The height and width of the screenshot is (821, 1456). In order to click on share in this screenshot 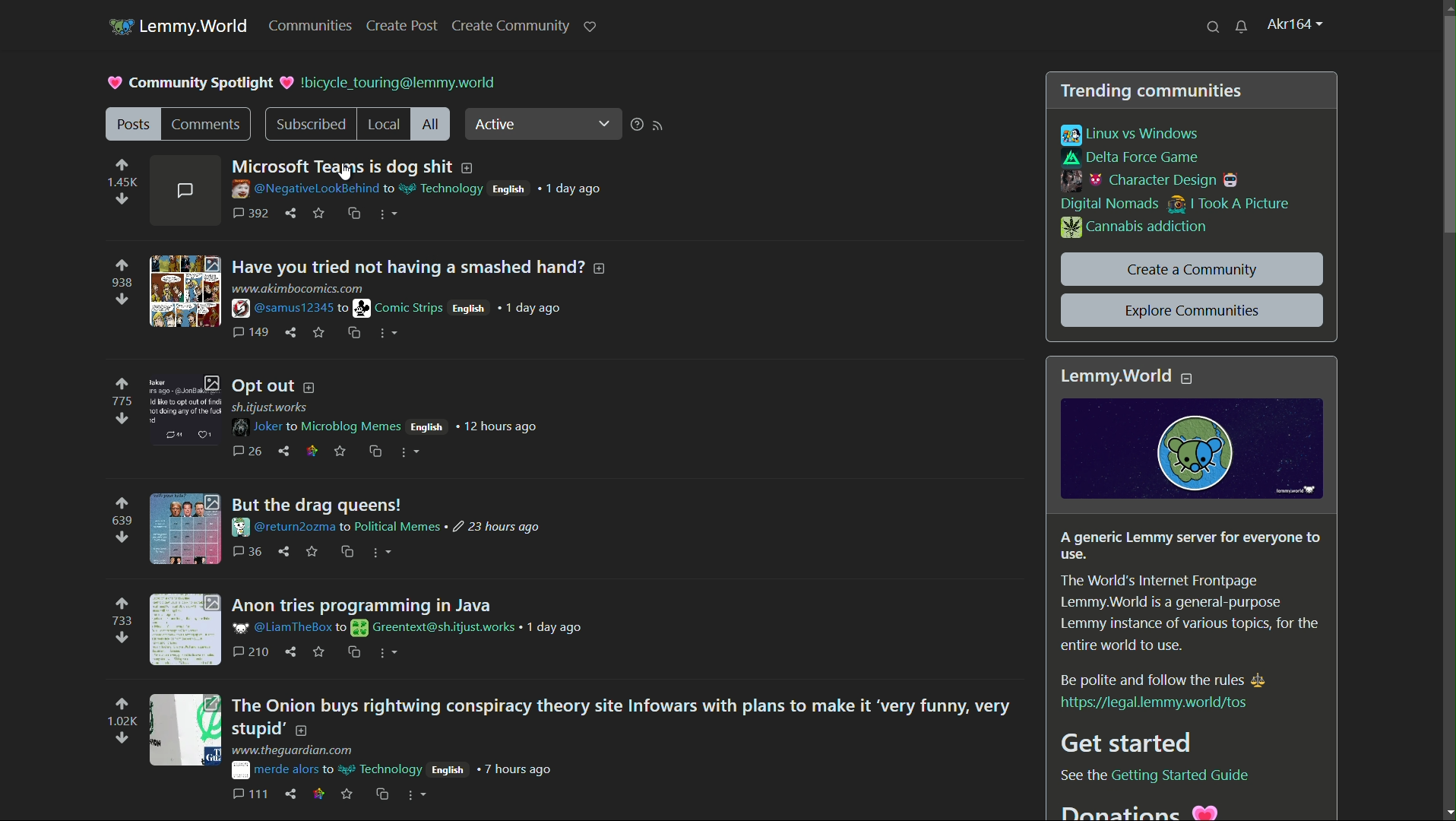, I will do `click(285, 451)`.